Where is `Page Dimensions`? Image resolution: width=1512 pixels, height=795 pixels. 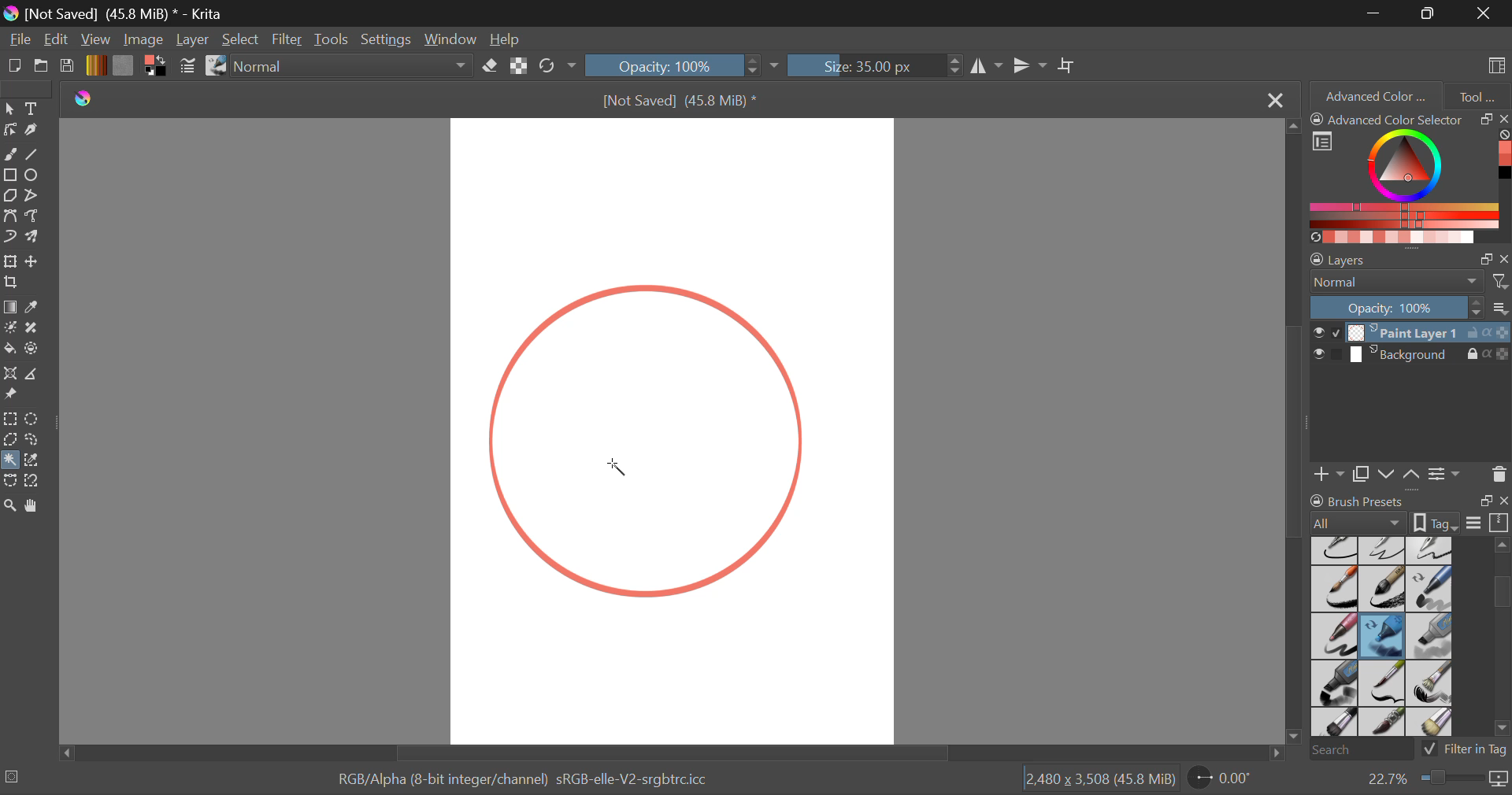
Page Dimensions is located at coordinates (1104, 779).